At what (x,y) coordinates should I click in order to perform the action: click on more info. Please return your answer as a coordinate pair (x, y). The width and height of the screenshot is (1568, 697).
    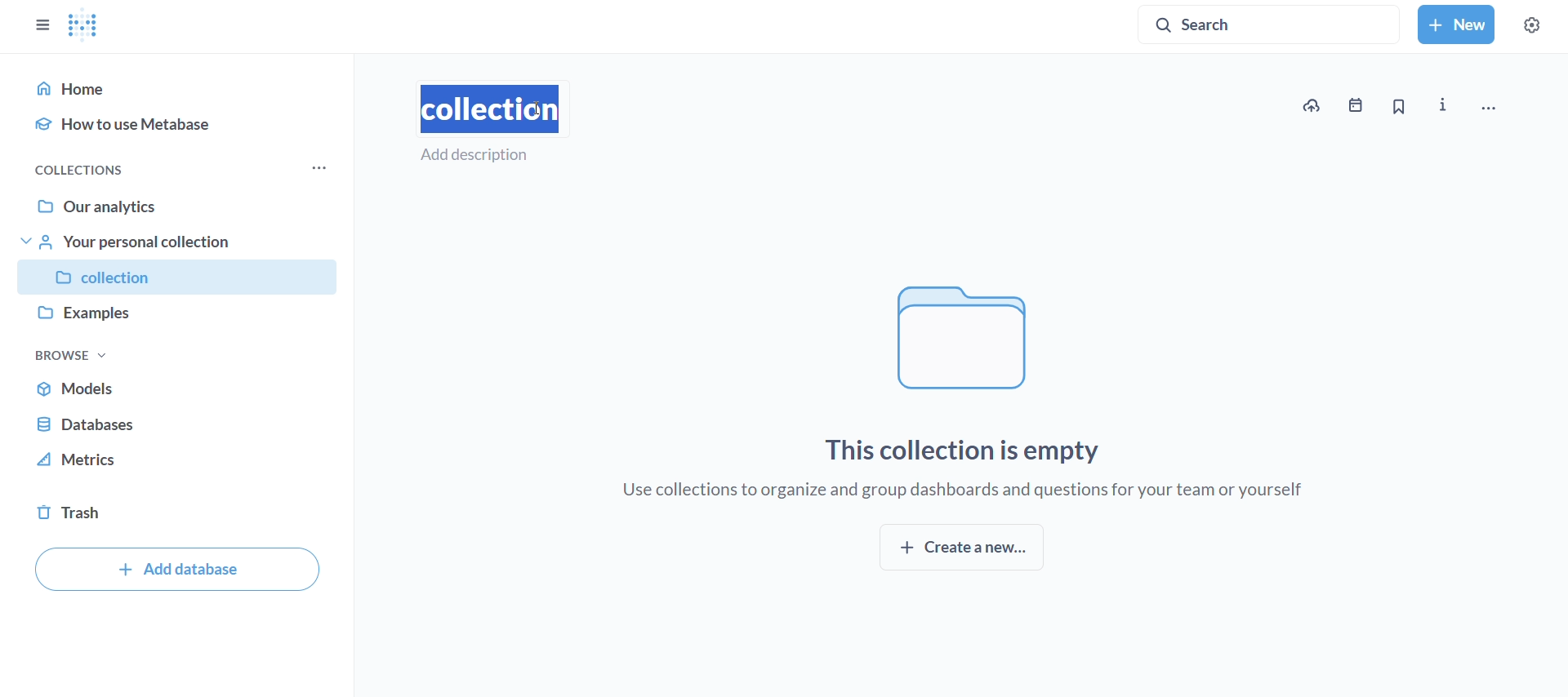
    Looking at the image, I should click on (1446, 105).